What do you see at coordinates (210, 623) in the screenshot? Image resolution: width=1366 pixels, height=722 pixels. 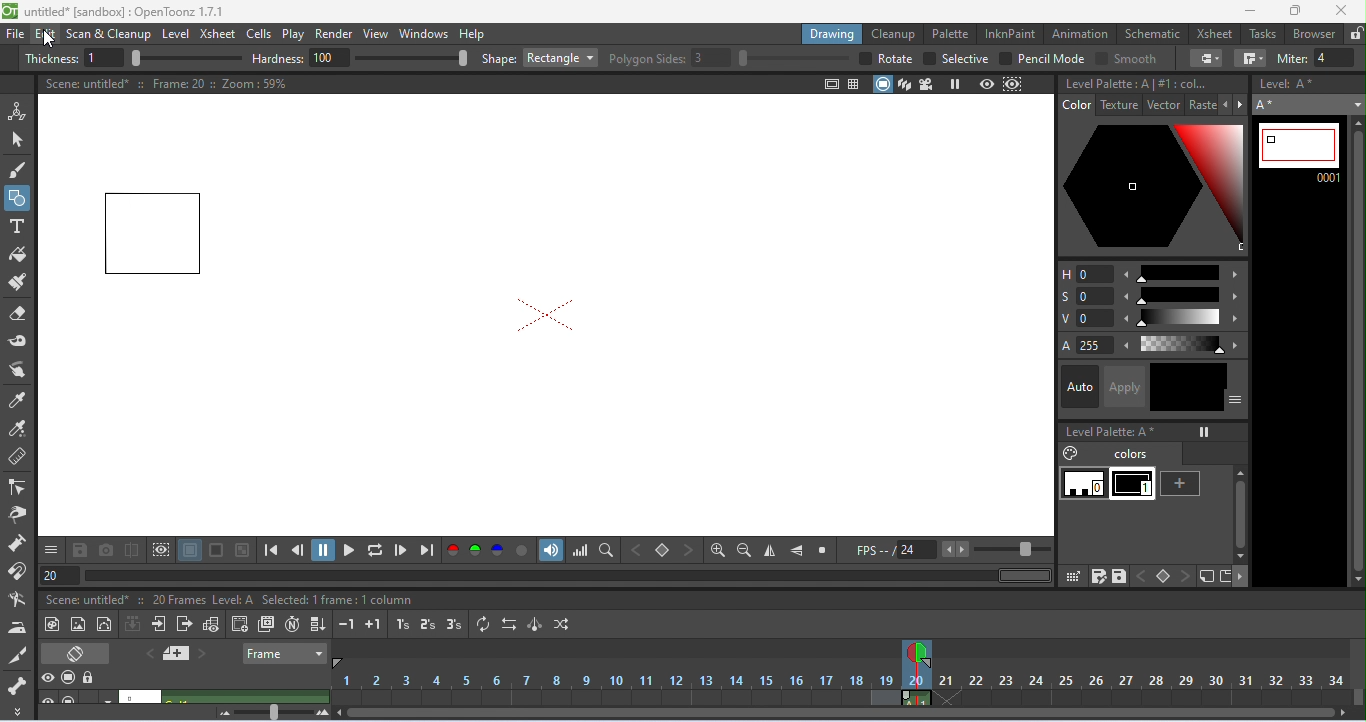 I see `toggle edit in place` at bounding box center [210, 623].